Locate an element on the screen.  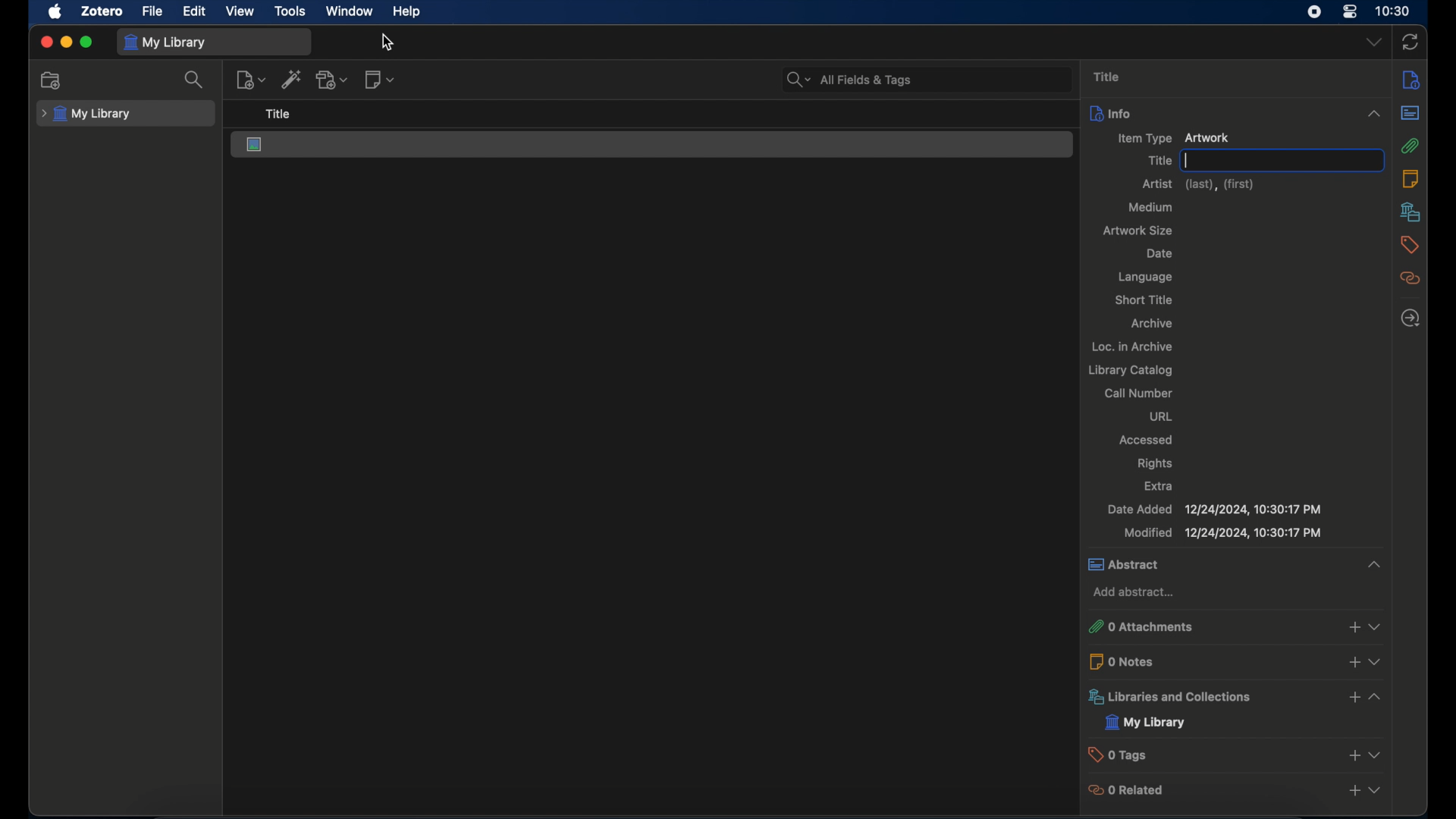
screen recorder is located at coordinates (1314, 12).